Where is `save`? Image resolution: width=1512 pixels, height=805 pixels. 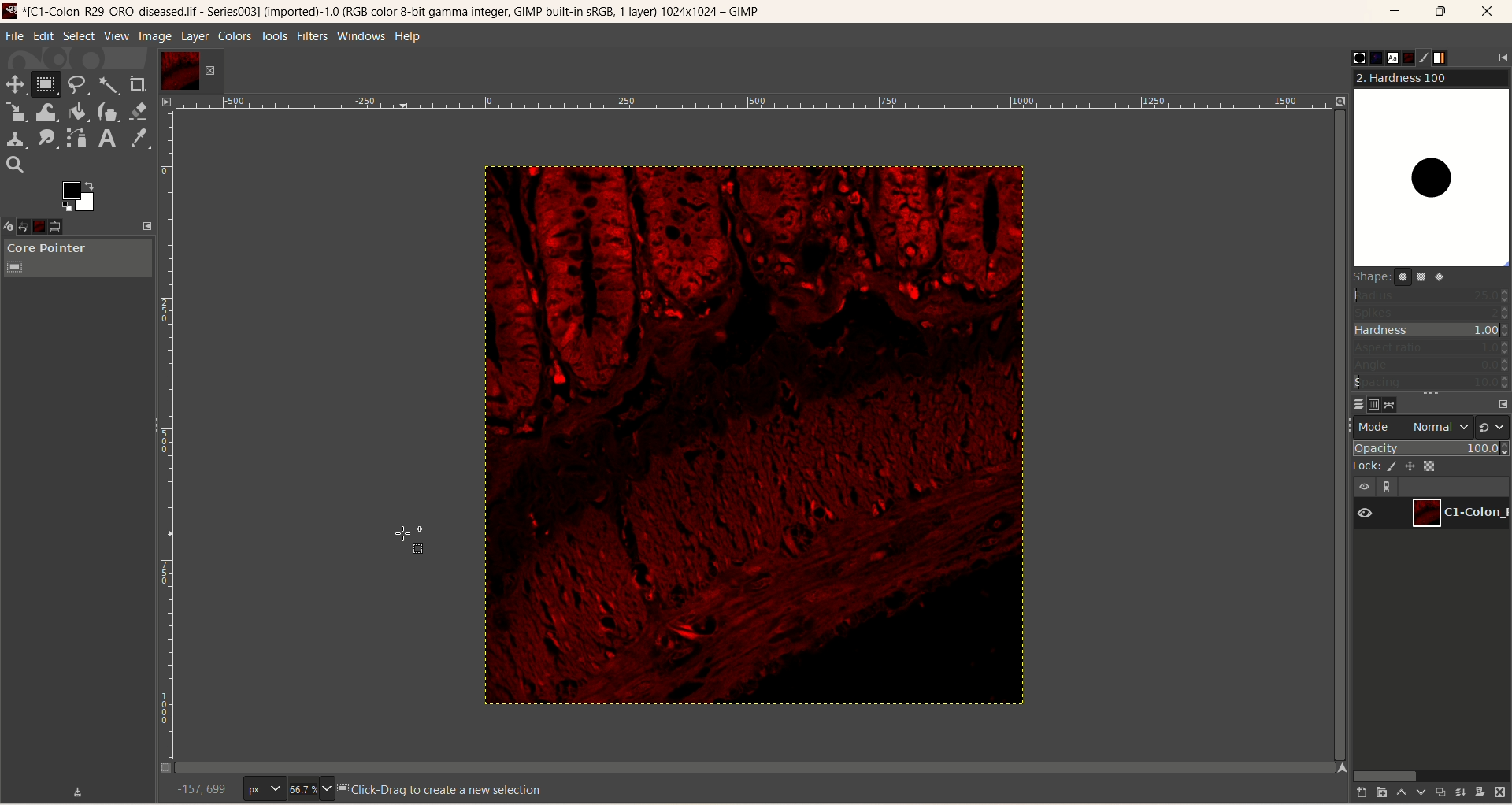
save is located at coordinates (79, 790).